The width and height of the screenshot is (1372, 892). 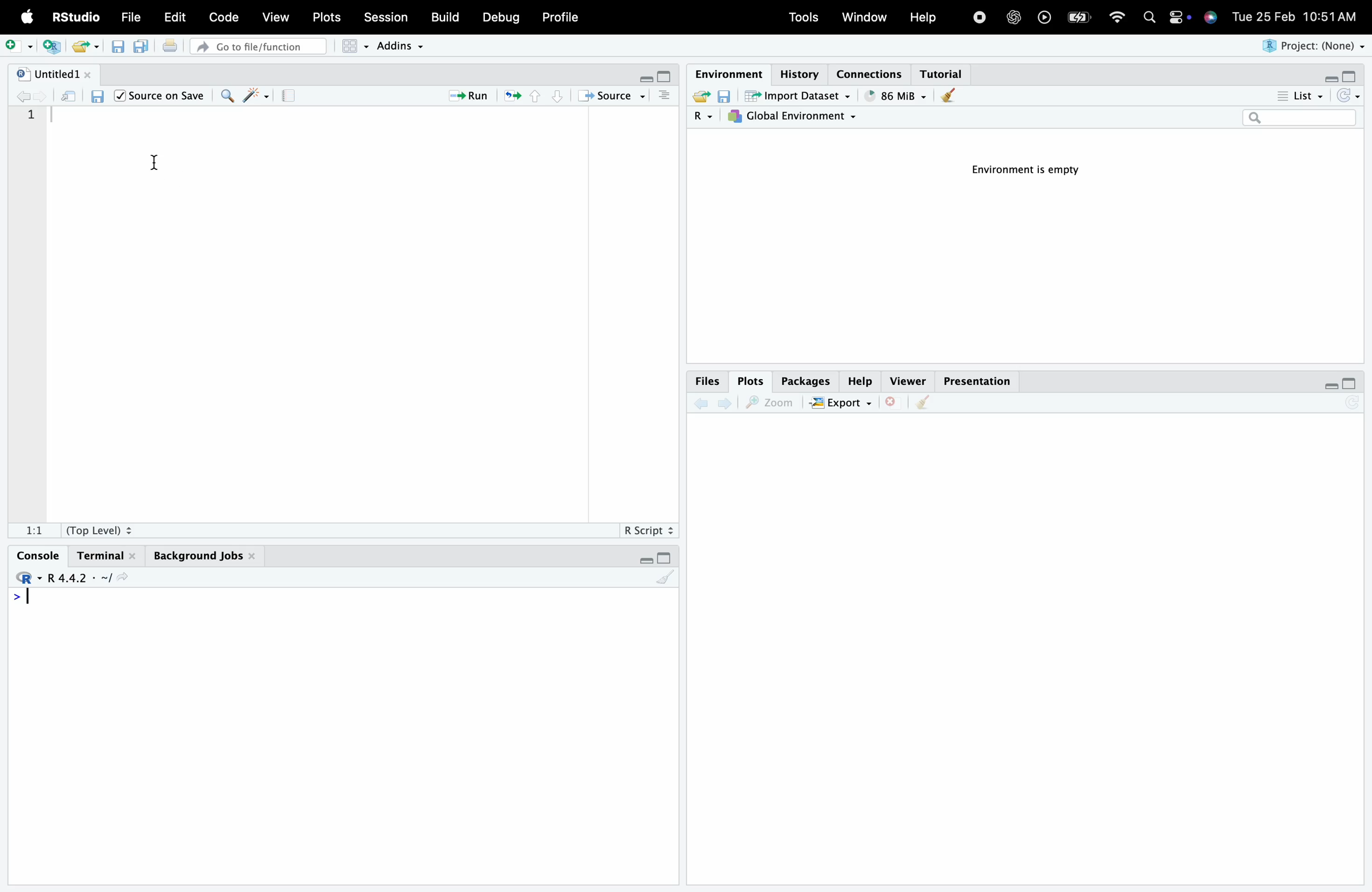 I want to click on bottom, so click(x=555, y=96).